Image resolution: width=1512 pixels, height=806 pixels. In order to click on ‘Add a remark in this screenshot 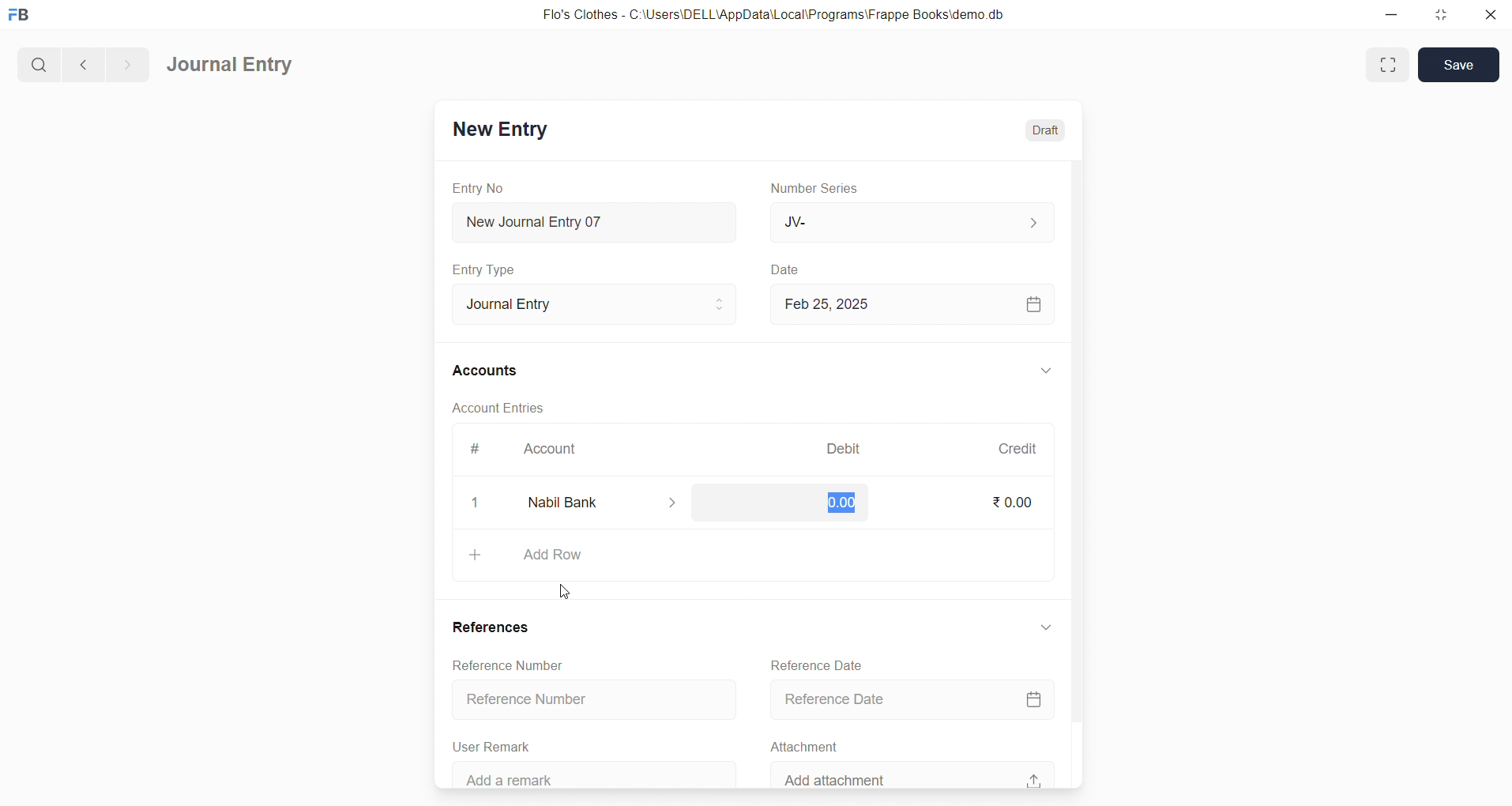, I will do `click(598, 773)`.